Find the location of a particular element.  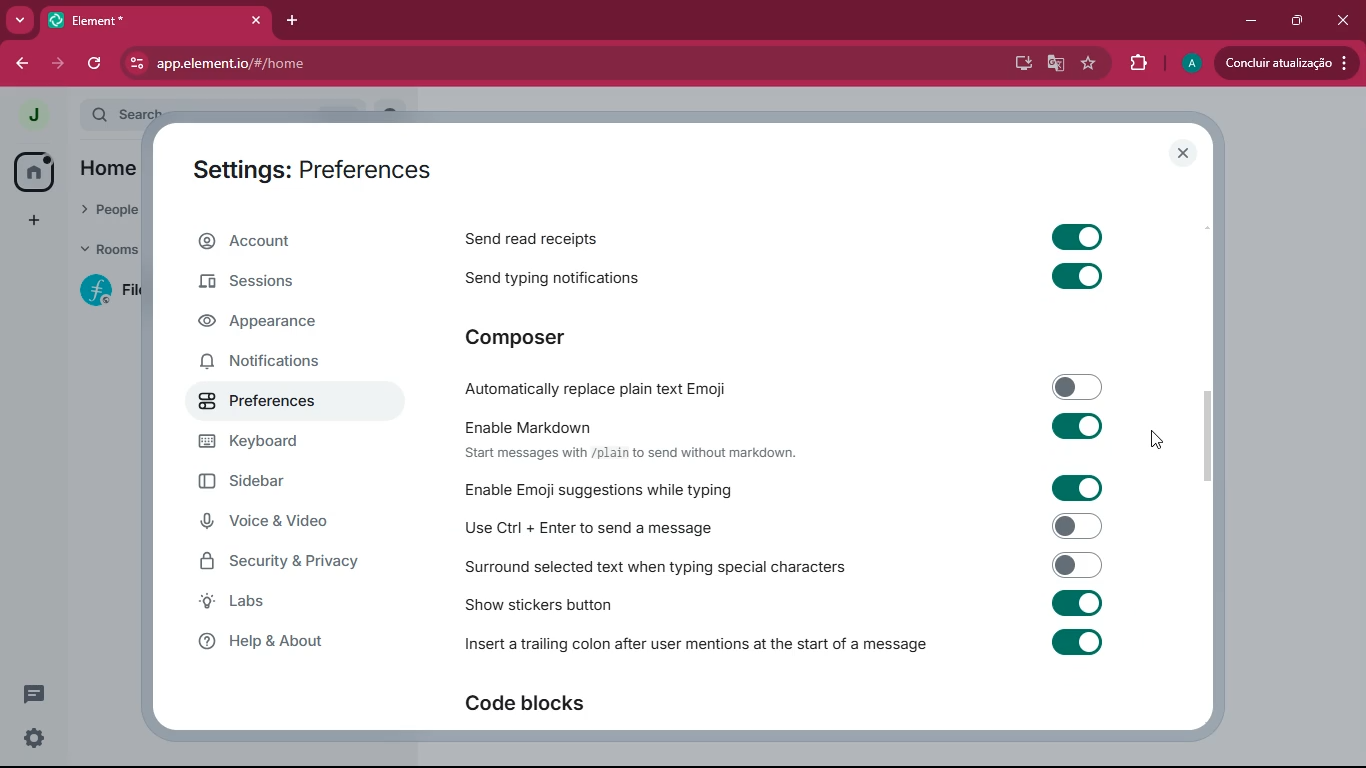

profile picture is located at coordinates (33, 115).